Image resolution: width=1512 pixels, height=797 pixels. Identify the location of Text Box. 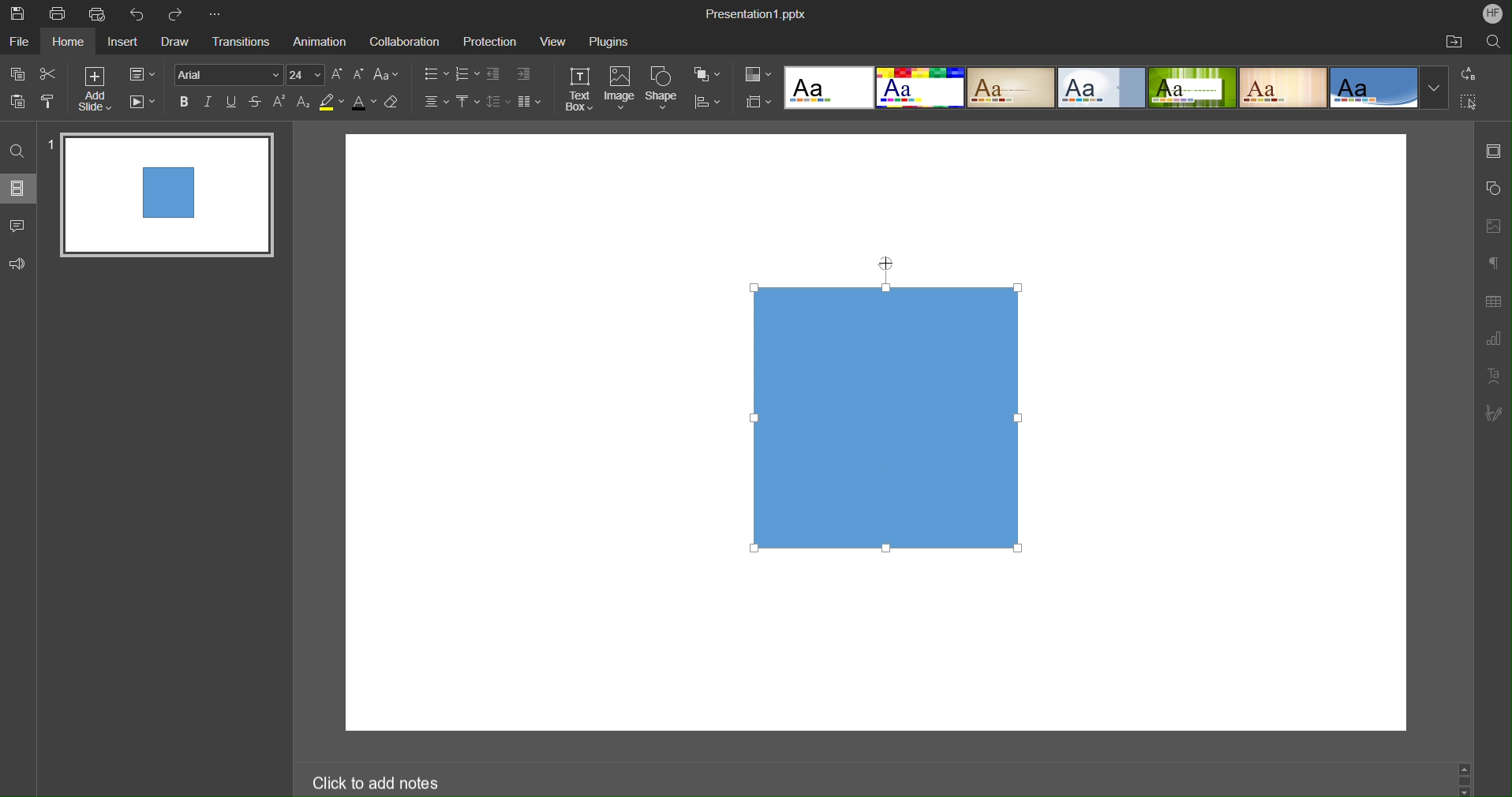
(582, 89).